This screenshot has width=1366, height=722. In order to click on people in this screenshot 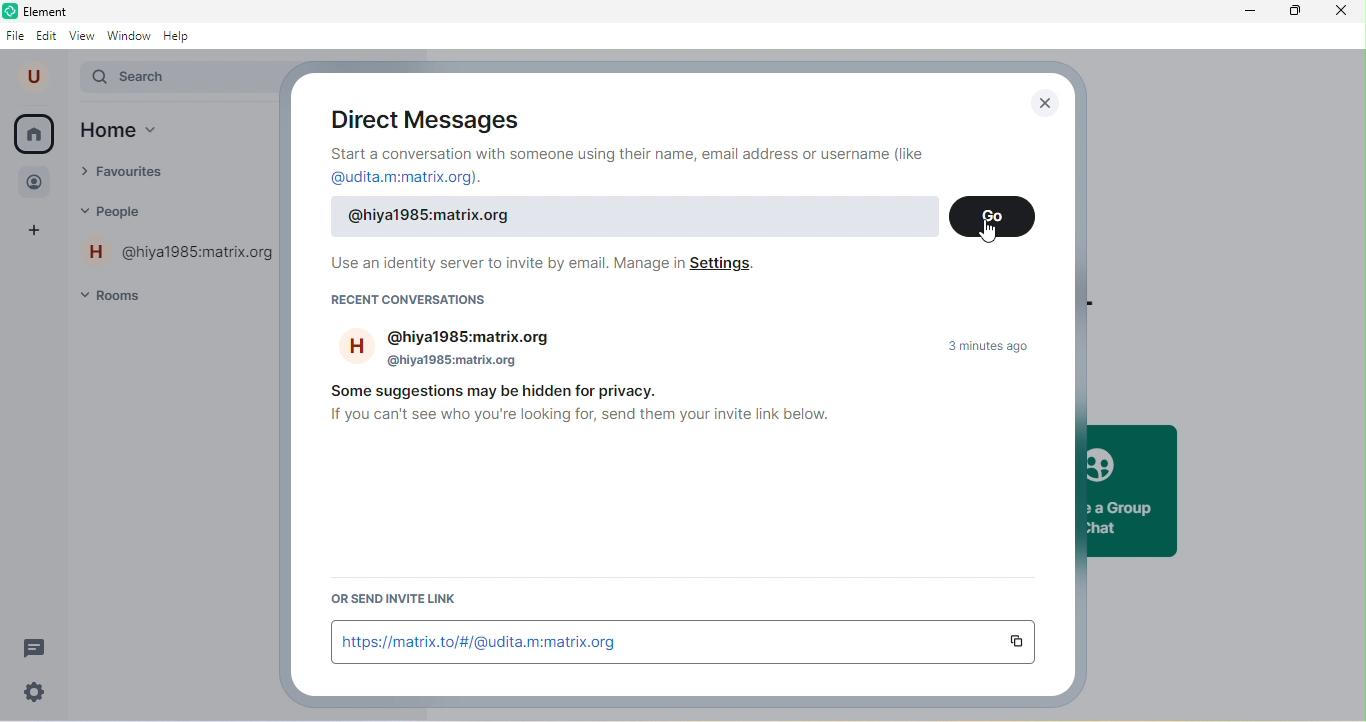, I will do `click(130, 212)`.